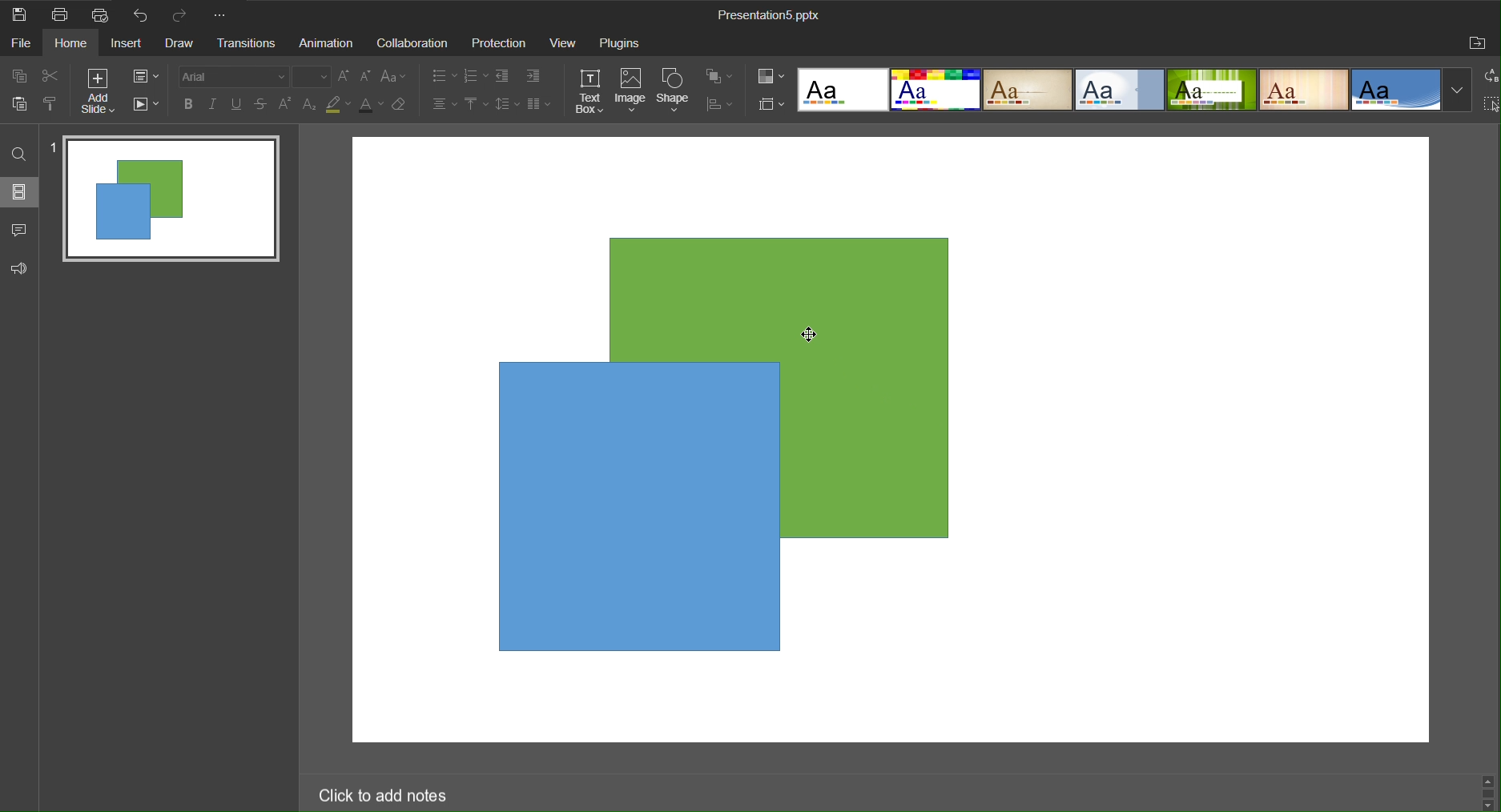 The height and width of the screenshot is (812, 1501). I want to click on Playback, so click(147, 106).